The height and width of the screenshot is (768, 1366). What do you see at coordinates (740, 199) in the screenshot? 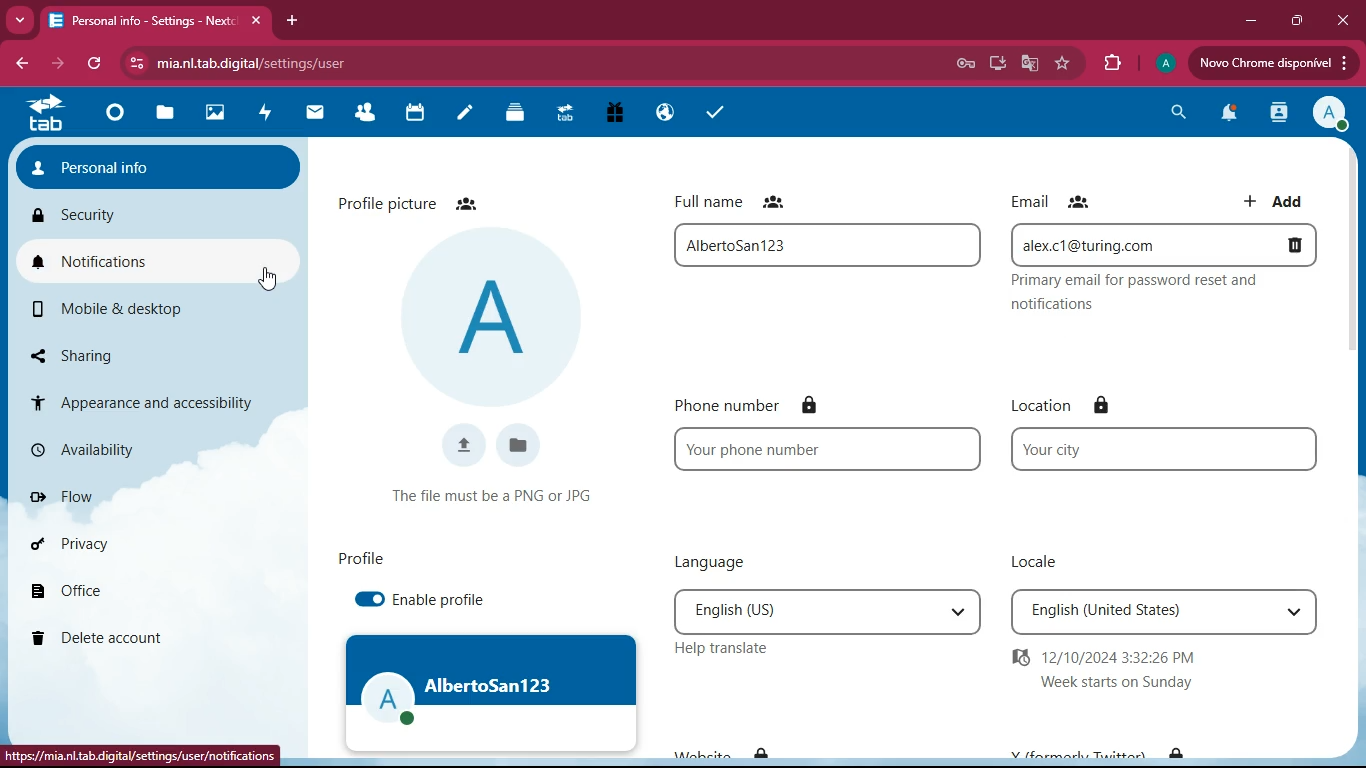
I see `full name` at bounding box center [740, 199].